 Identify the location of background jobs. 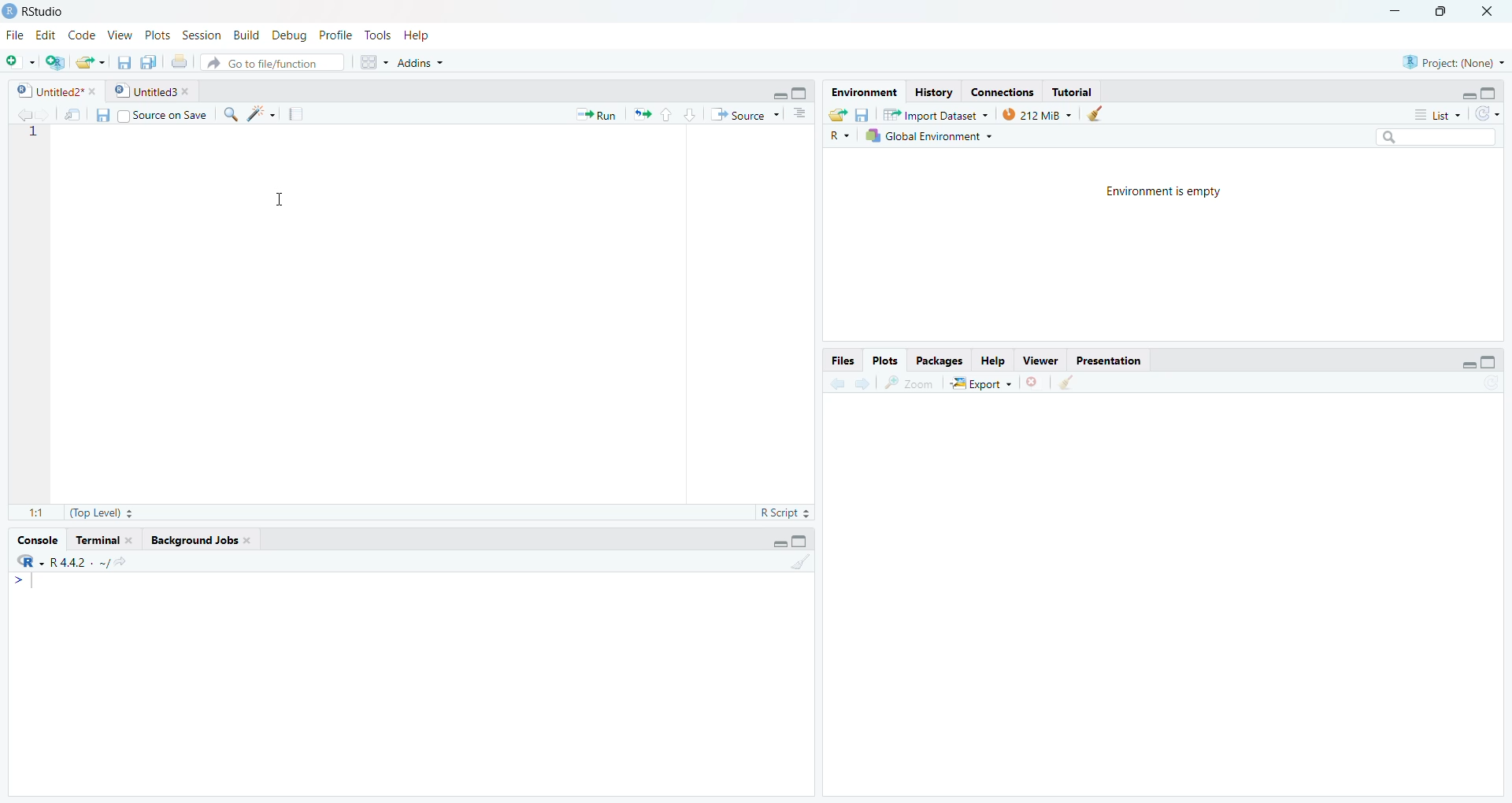
(198, 543).